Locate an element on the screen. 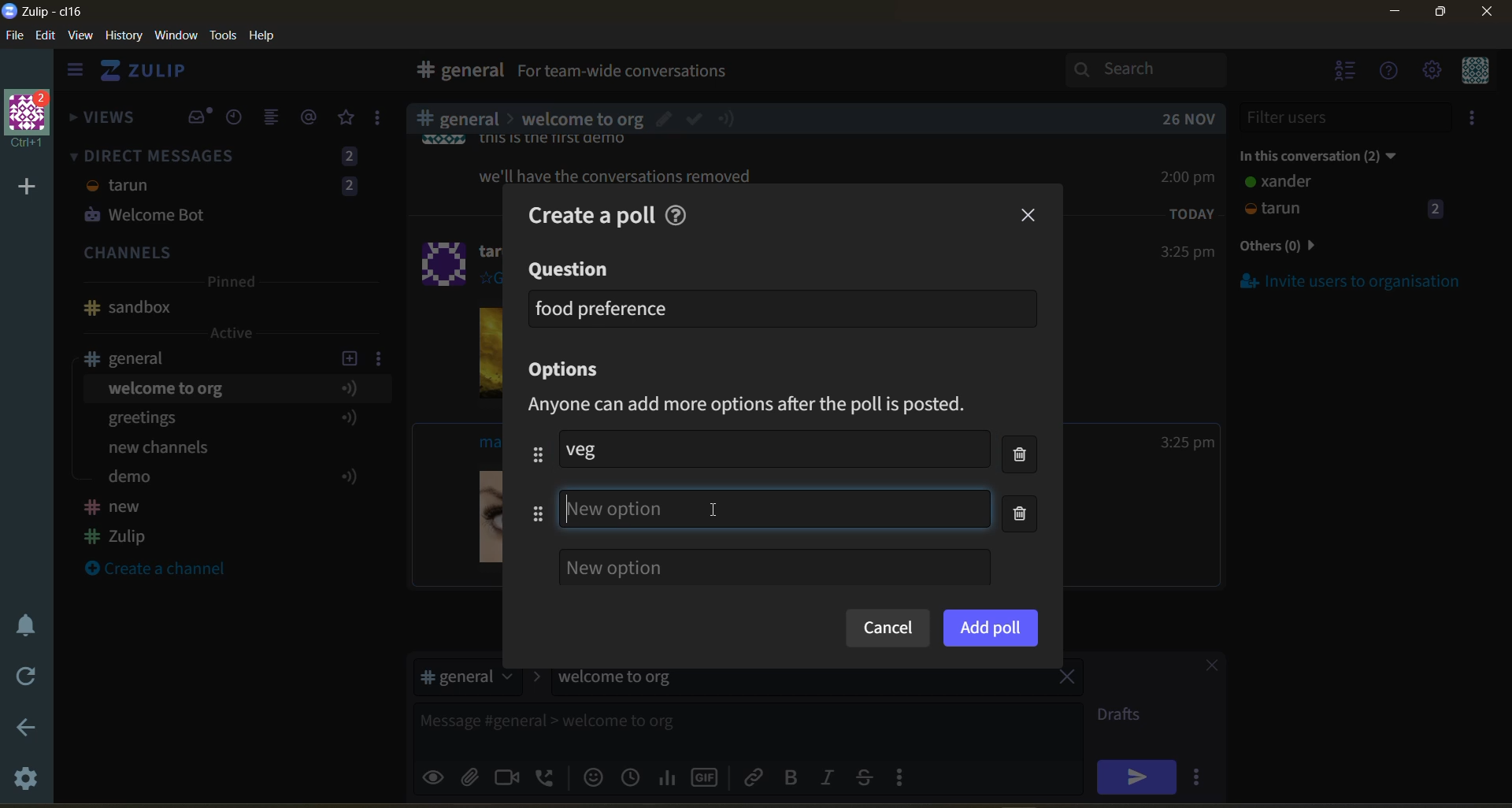 This screenshot has height=808, width=1512. enable do not disturb is located at coordinates (22, 623).